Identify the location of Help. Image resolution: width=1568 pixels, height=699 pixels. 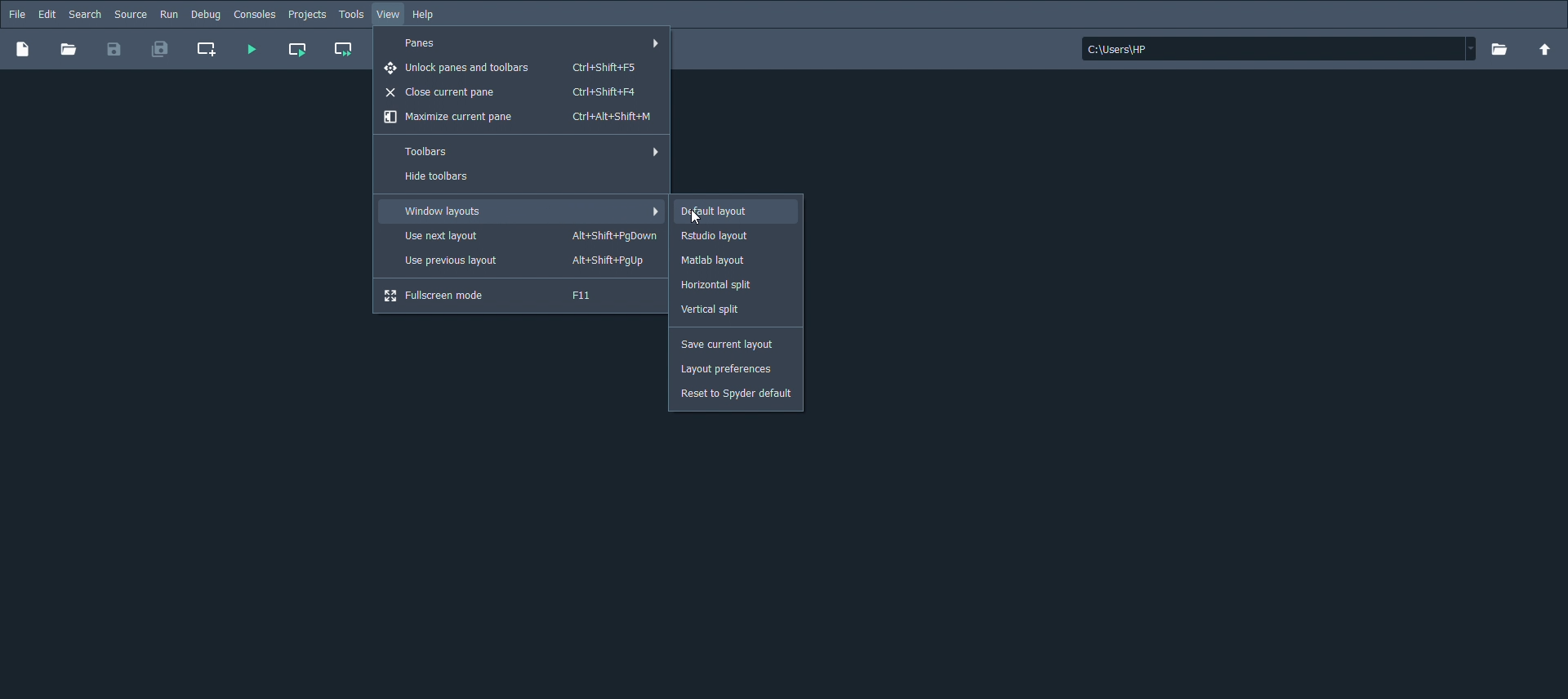
(427, 14).